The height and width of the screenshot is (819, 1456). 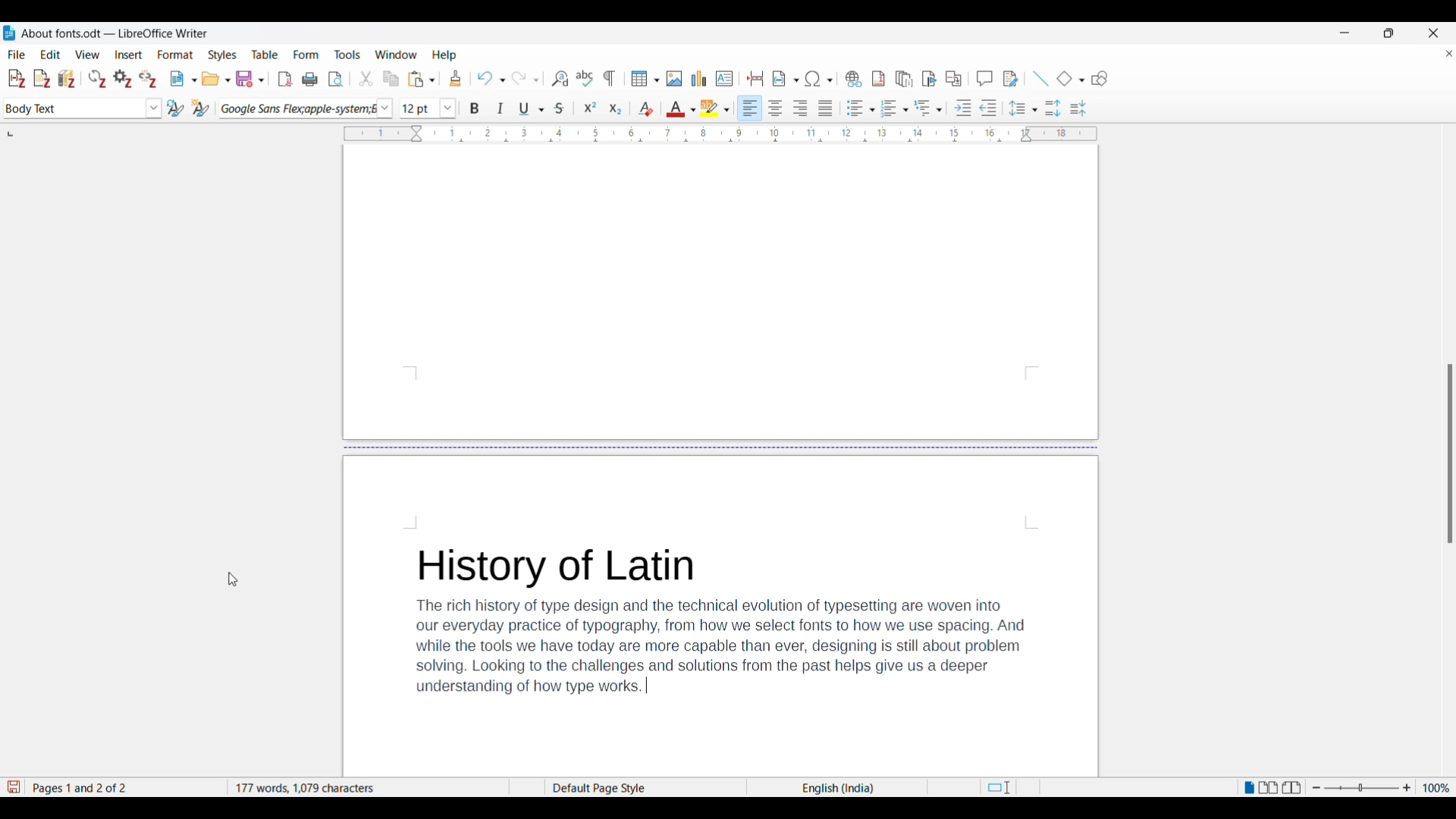 I want to click on Form menu, so click(x=306, y=55).